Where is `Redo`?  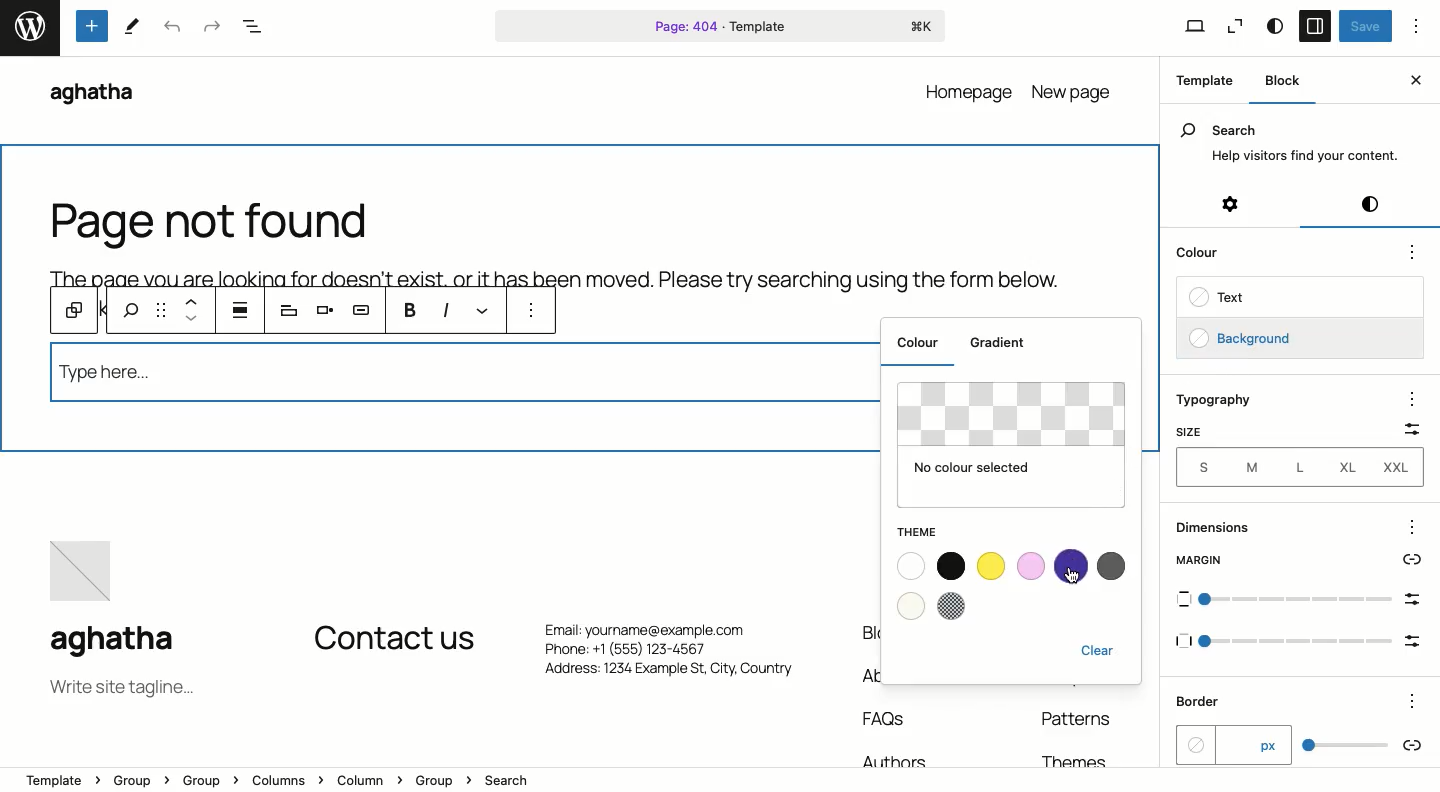
Redo is located at coordinates (209, 27).